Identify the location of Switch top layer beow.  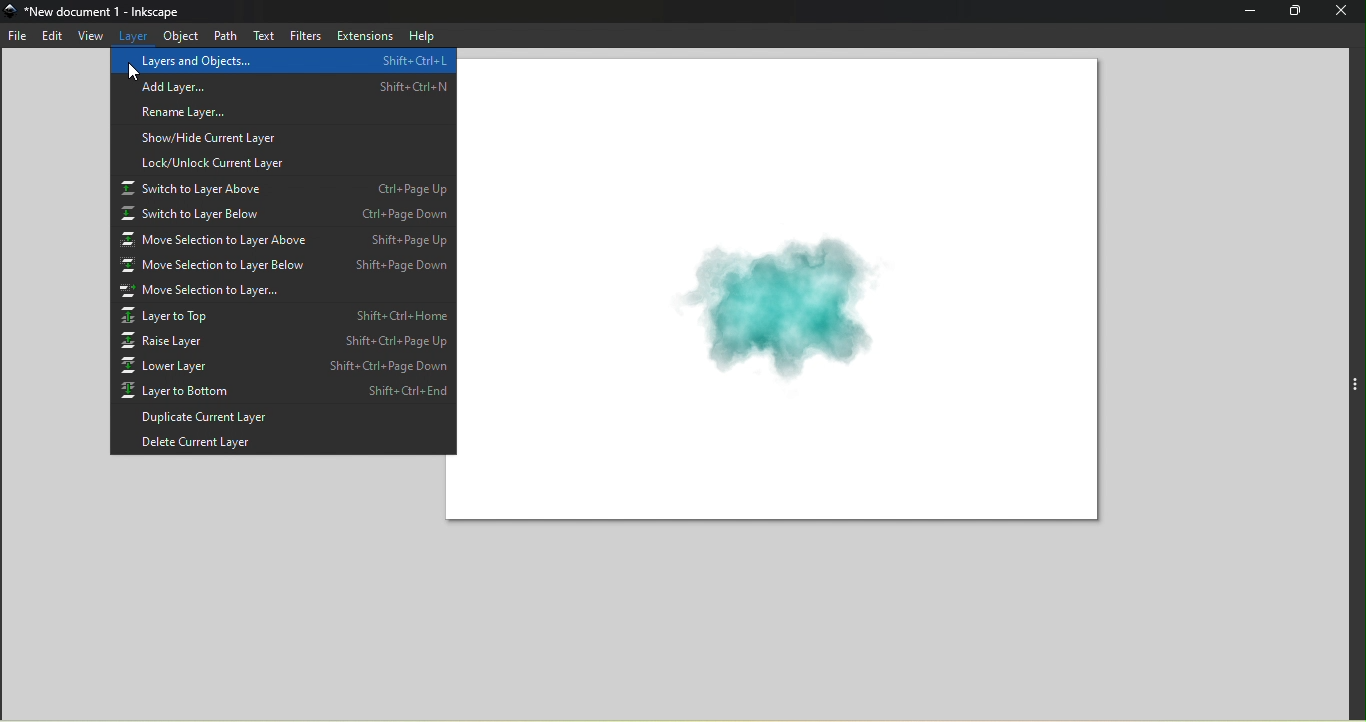
(283, 215).